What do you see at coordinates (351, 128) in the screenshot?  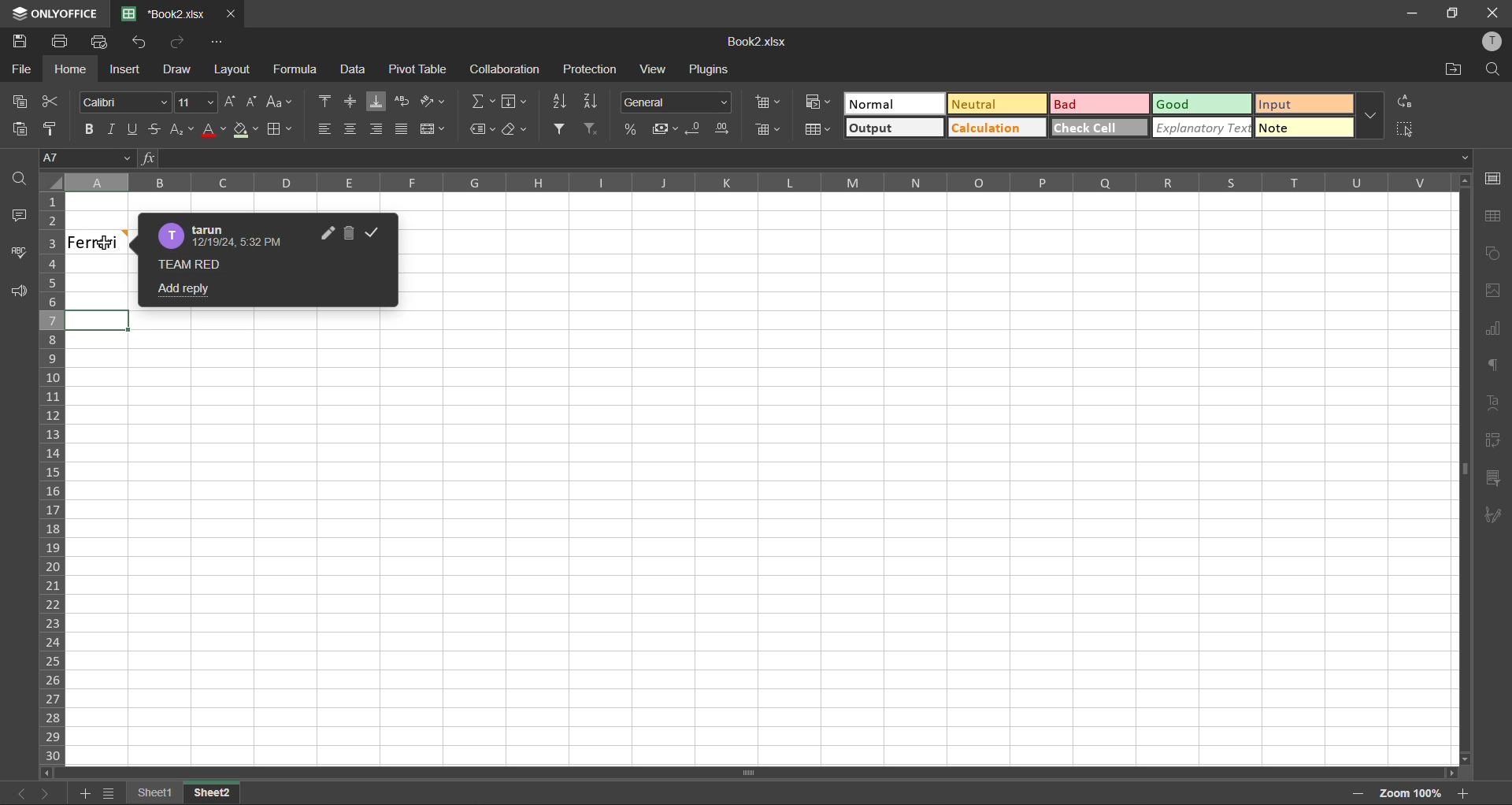 I see `align center` at bounding box center [351, 128].